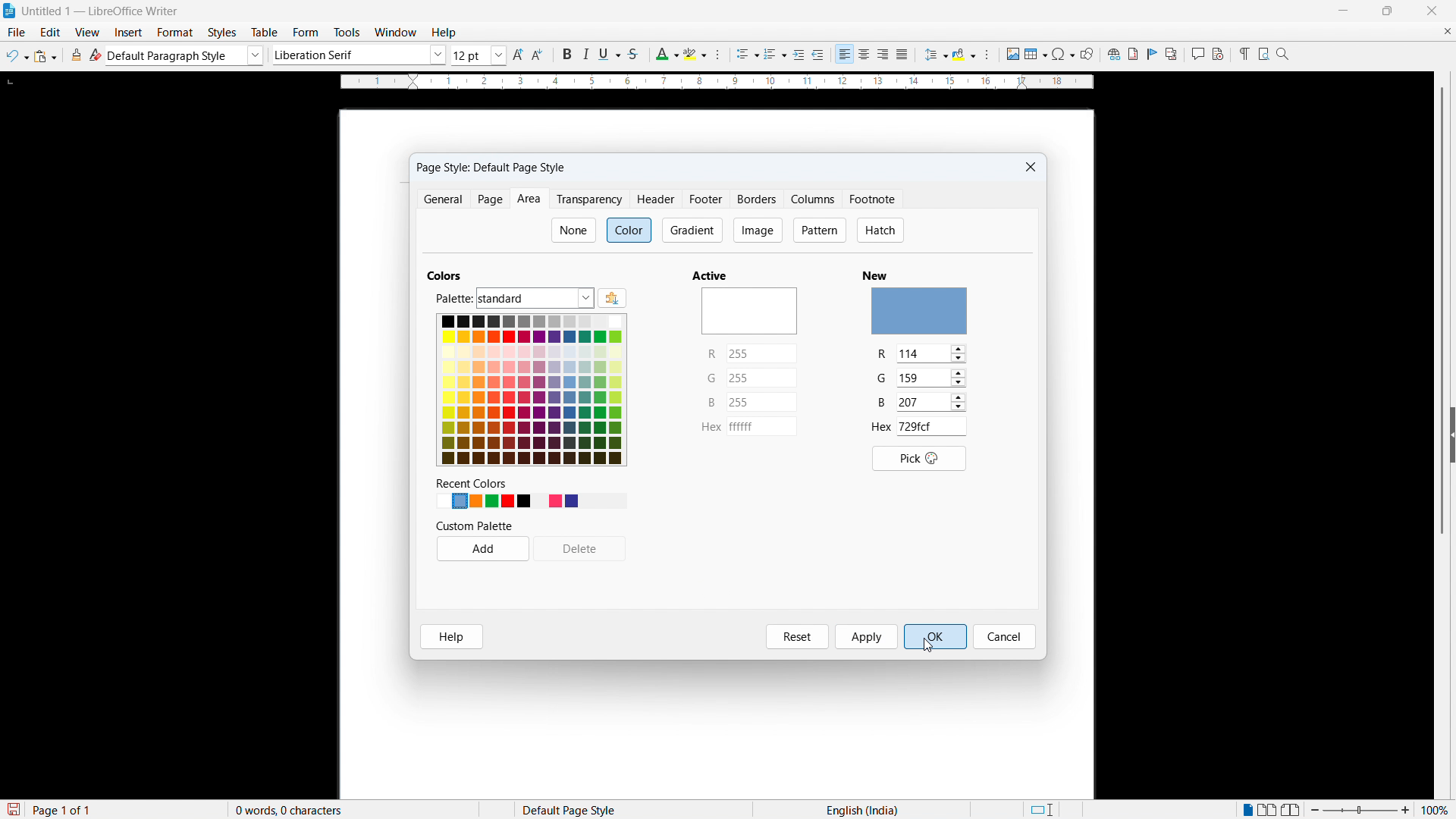  I want to click on page , so click(490, 199).